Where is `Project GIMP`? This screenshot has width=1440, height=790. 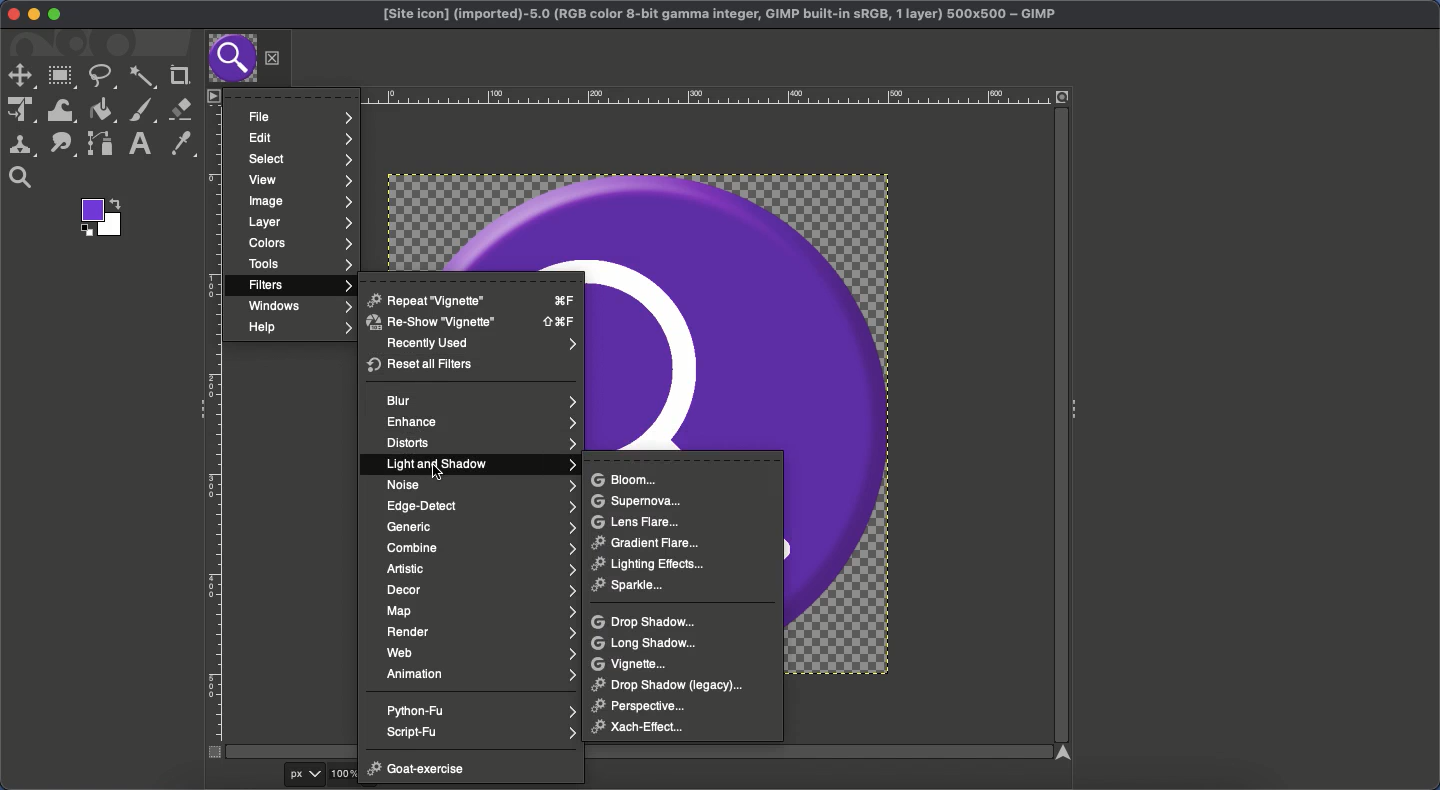 Project GIMP is located at coordinates (720, 15).